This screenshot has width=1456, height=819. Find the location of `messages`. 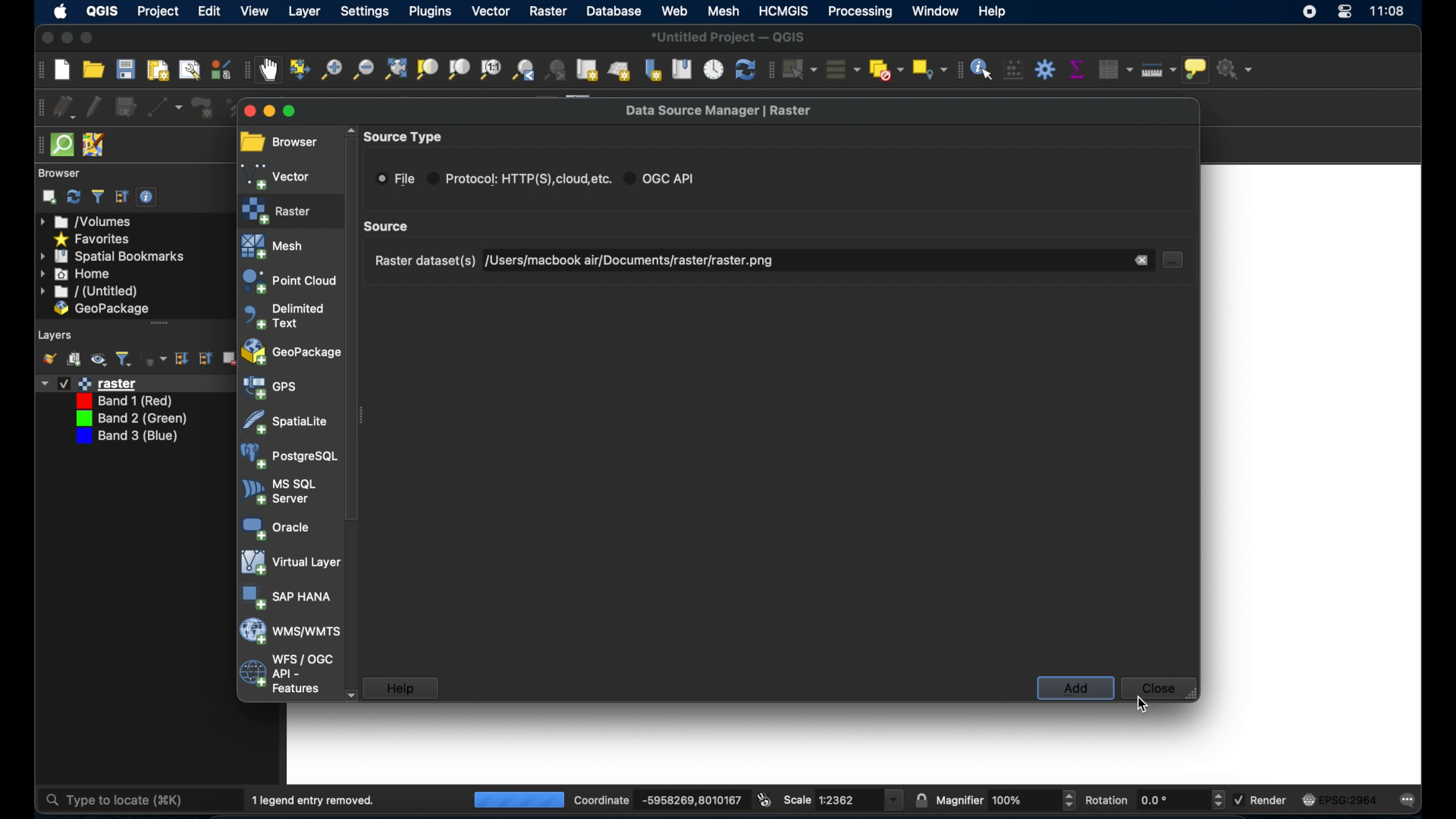

messages is located at coordinates (1412, 799).